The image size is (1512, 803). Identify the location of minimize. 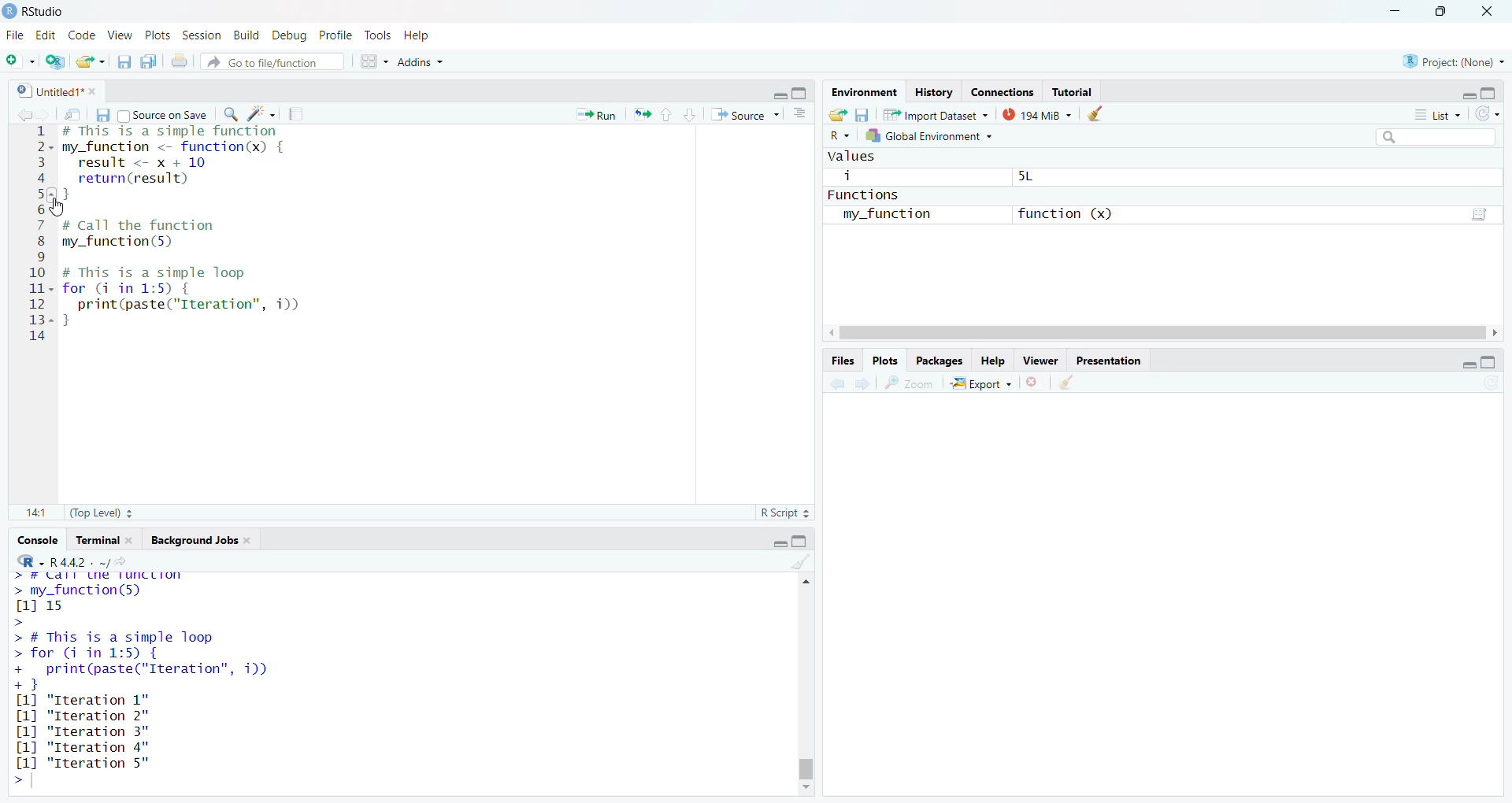
(1462, 364).